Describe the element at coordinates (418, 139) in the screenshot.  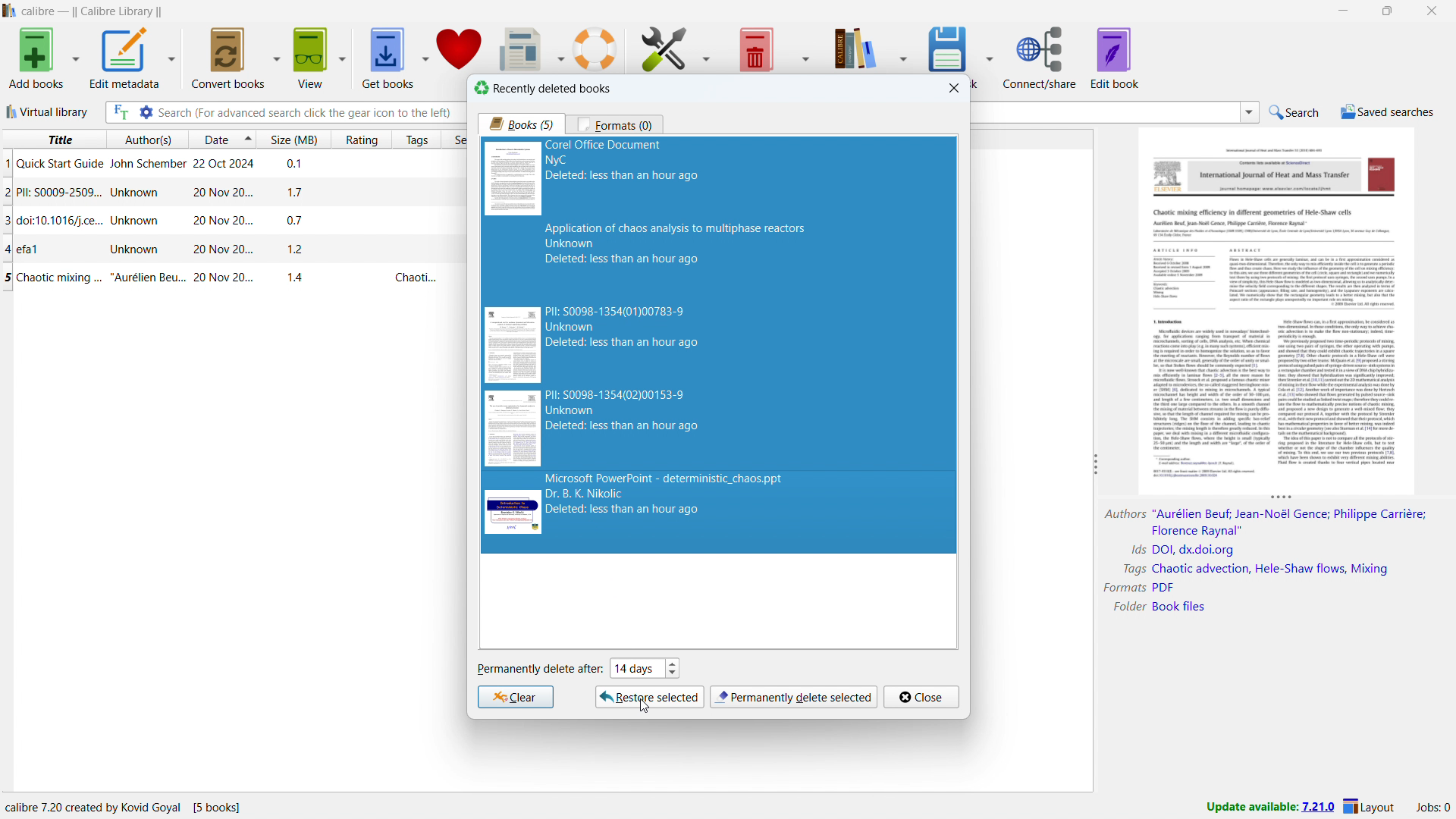
I see `sort by tags` at that location.